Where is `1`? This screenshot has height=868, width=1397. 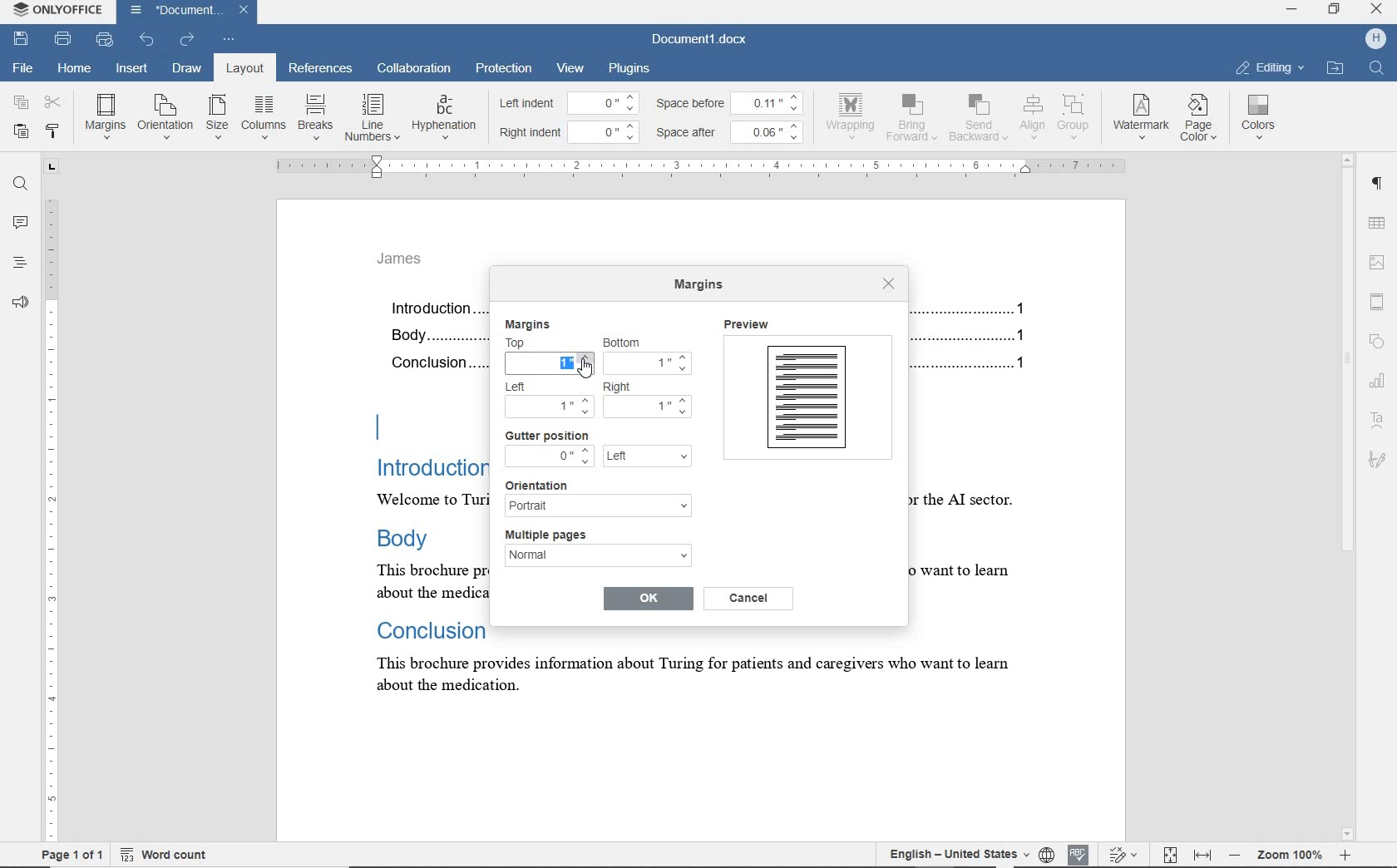 1 is located at coordinates (550, 407).